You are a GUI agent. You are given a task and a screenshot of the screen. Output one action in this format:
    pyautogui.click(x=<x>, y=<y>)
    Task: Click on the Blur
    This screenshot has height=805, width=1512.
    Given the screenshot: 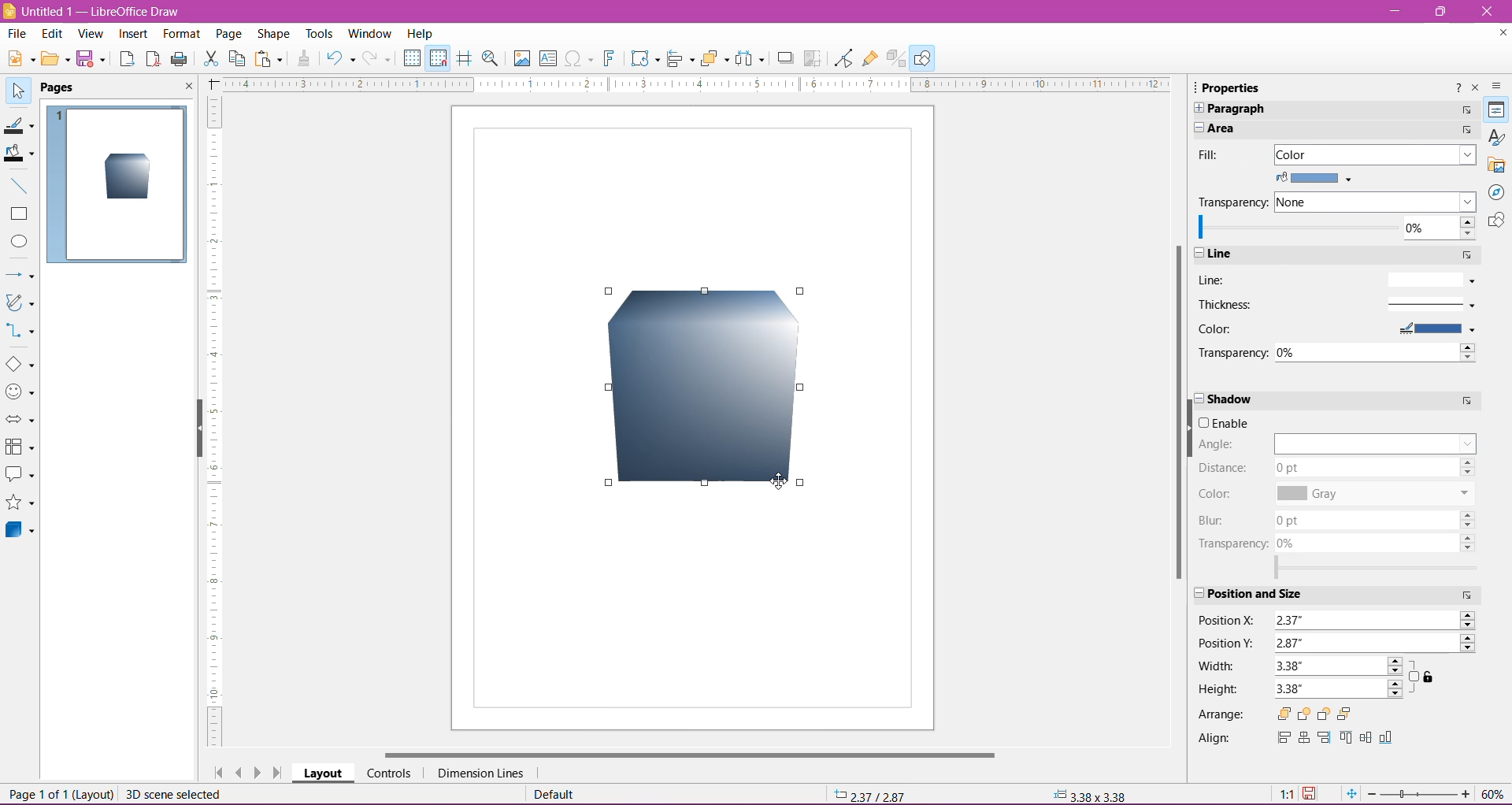 What is the action you would take?
    pyautogui.click(x=1217, y=521)
    